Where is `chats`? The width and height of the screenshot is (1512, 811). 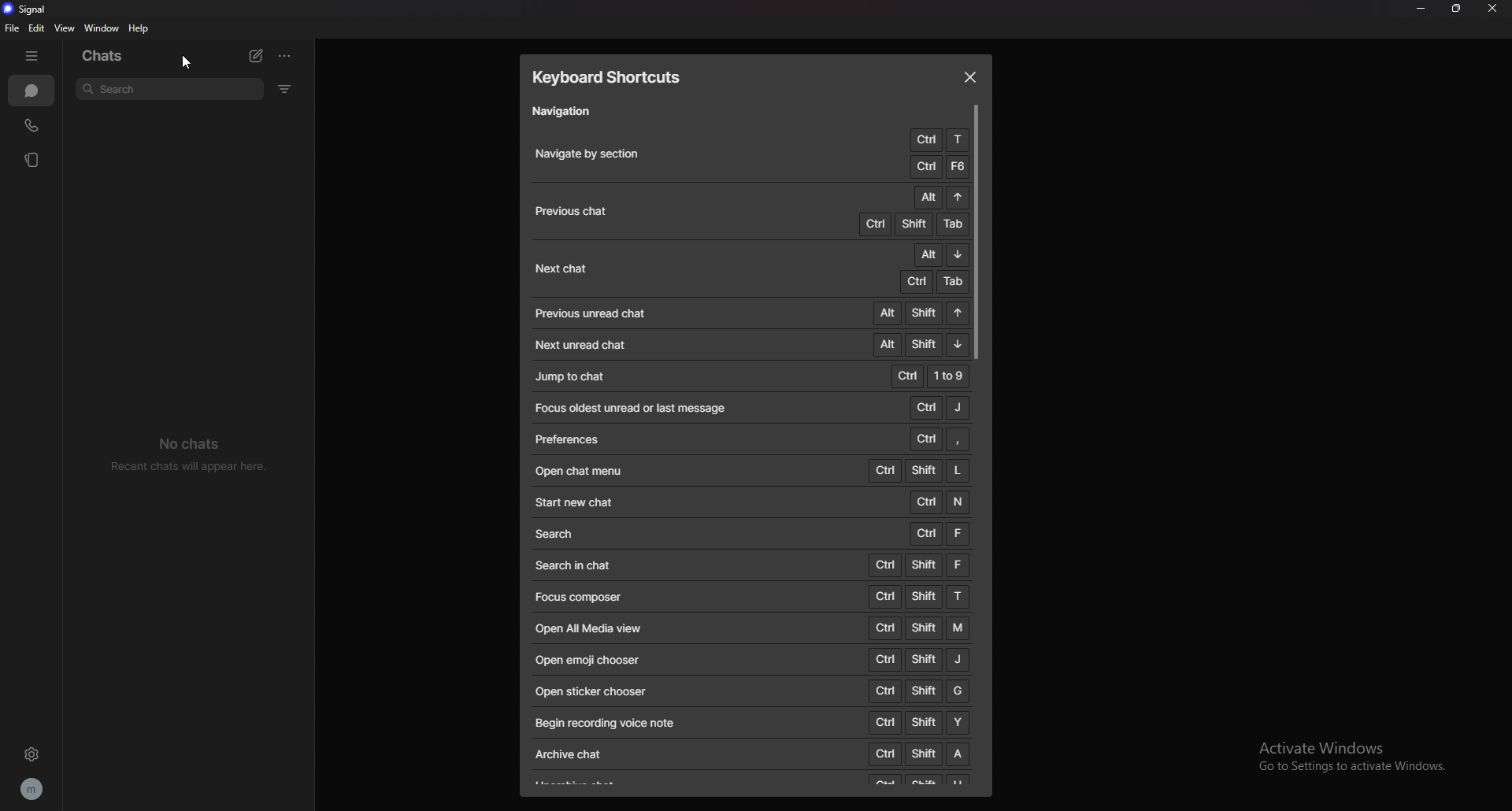 chats is located at coordinates (102, 57).